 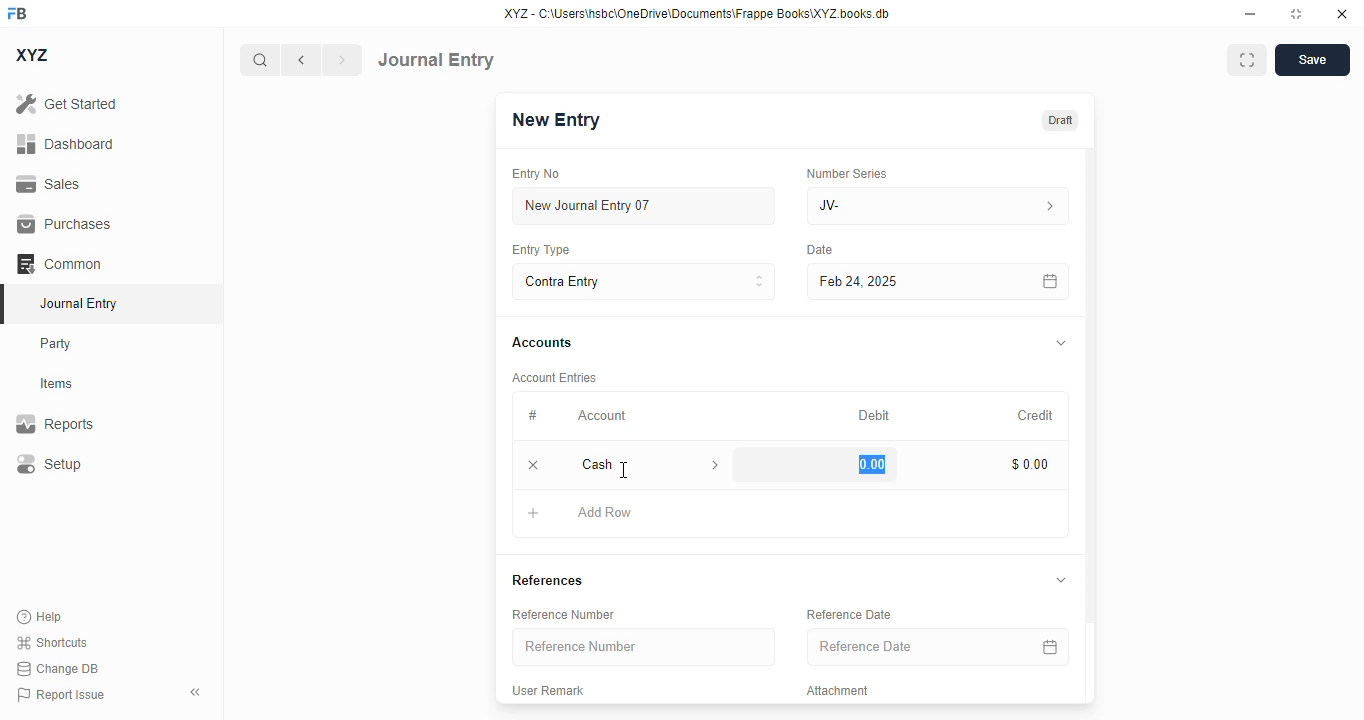 I want to click on calendar icon, so click(x=1049, y=646).